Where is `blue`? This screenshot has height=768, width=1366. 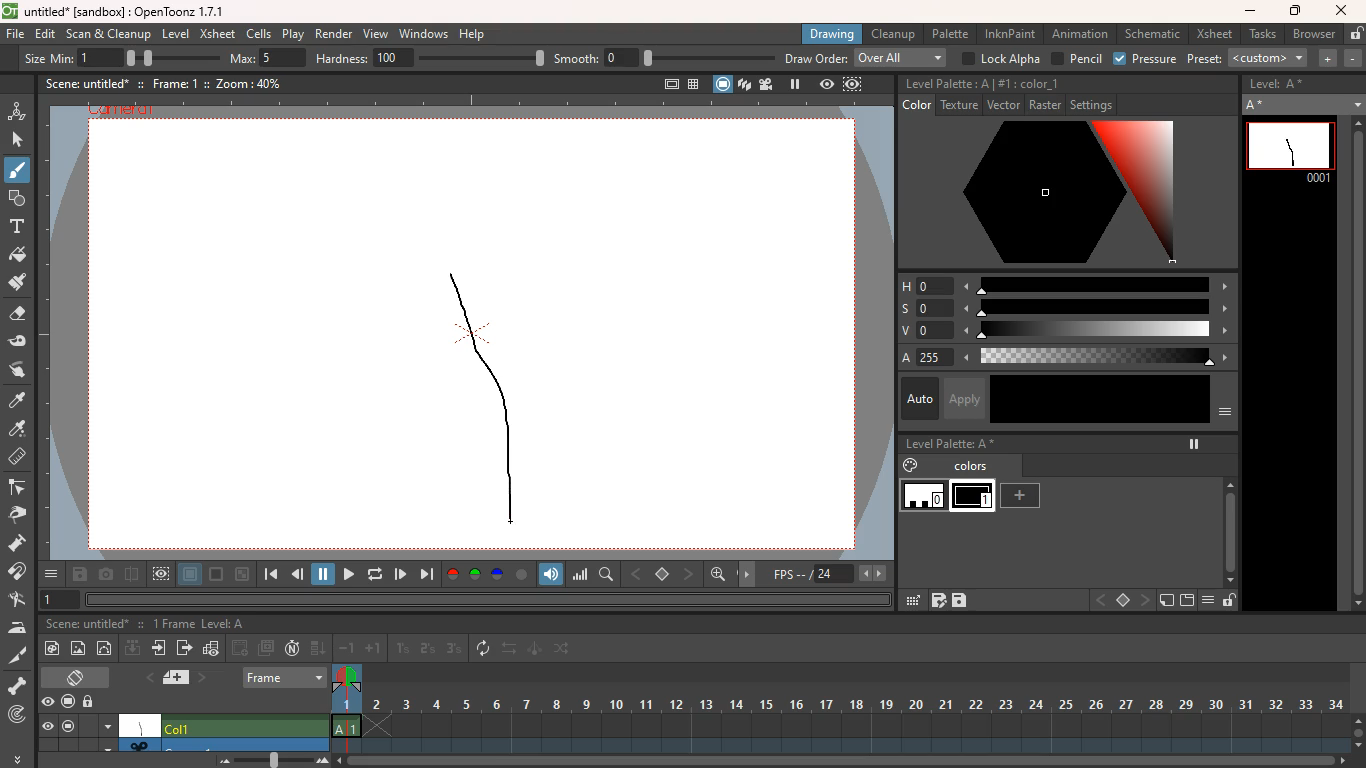
blue is located at coordinates (499, 575).